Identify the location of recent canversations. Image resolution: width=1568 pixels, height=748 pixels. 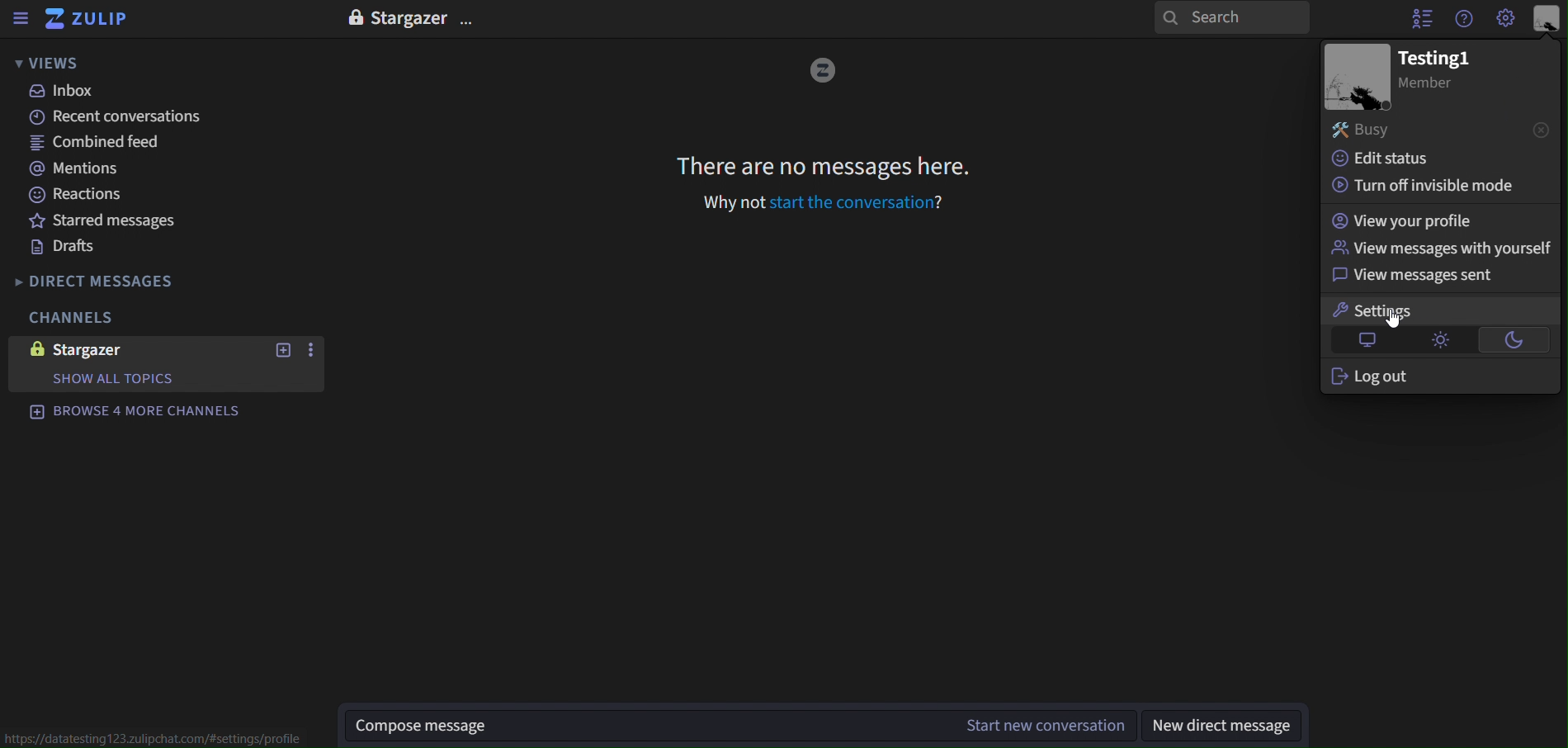
(116, 116).